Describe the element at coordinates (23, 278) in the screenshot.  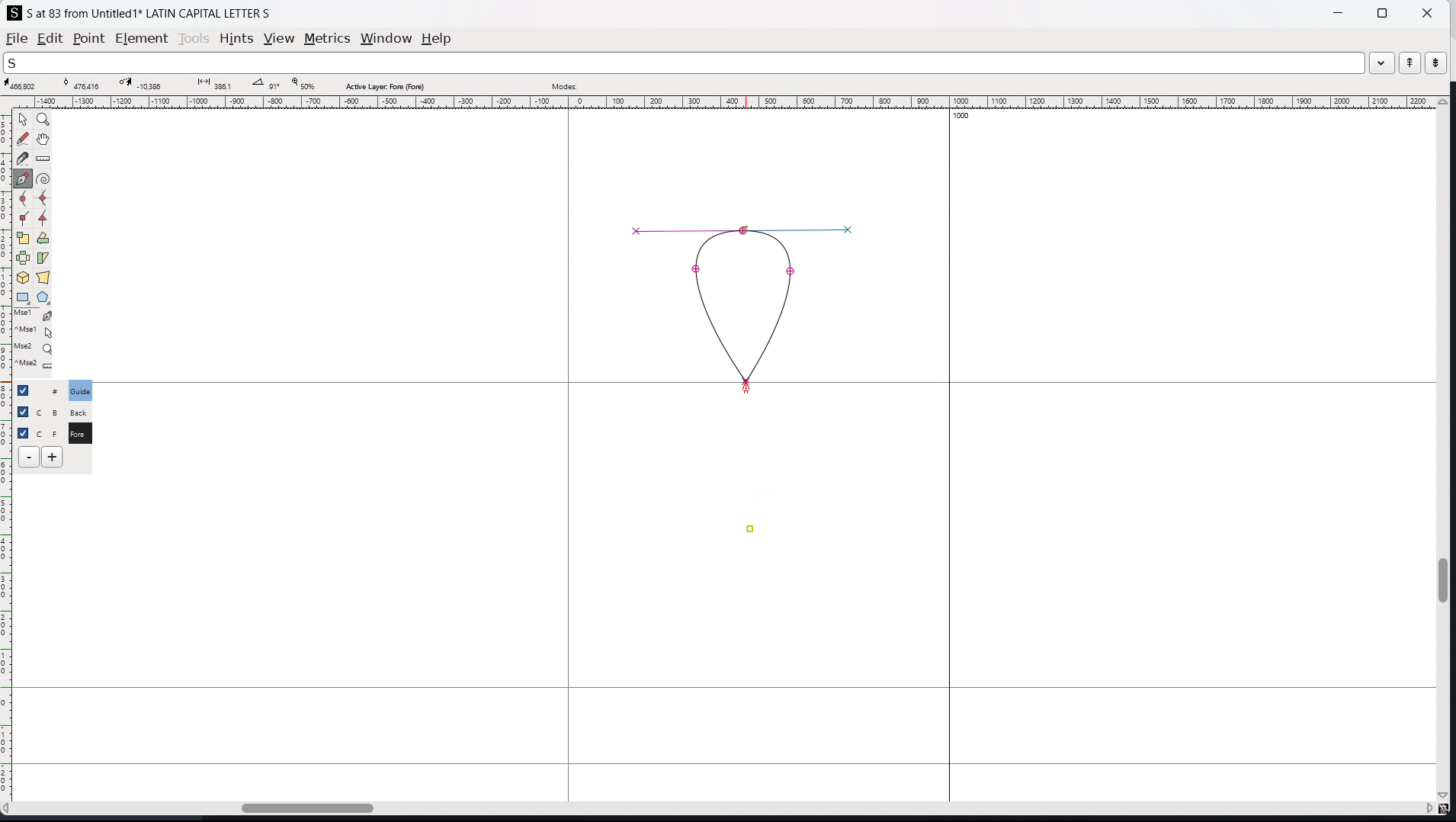
I see `rotate the selection in 3D and project back to plane ` at that location.